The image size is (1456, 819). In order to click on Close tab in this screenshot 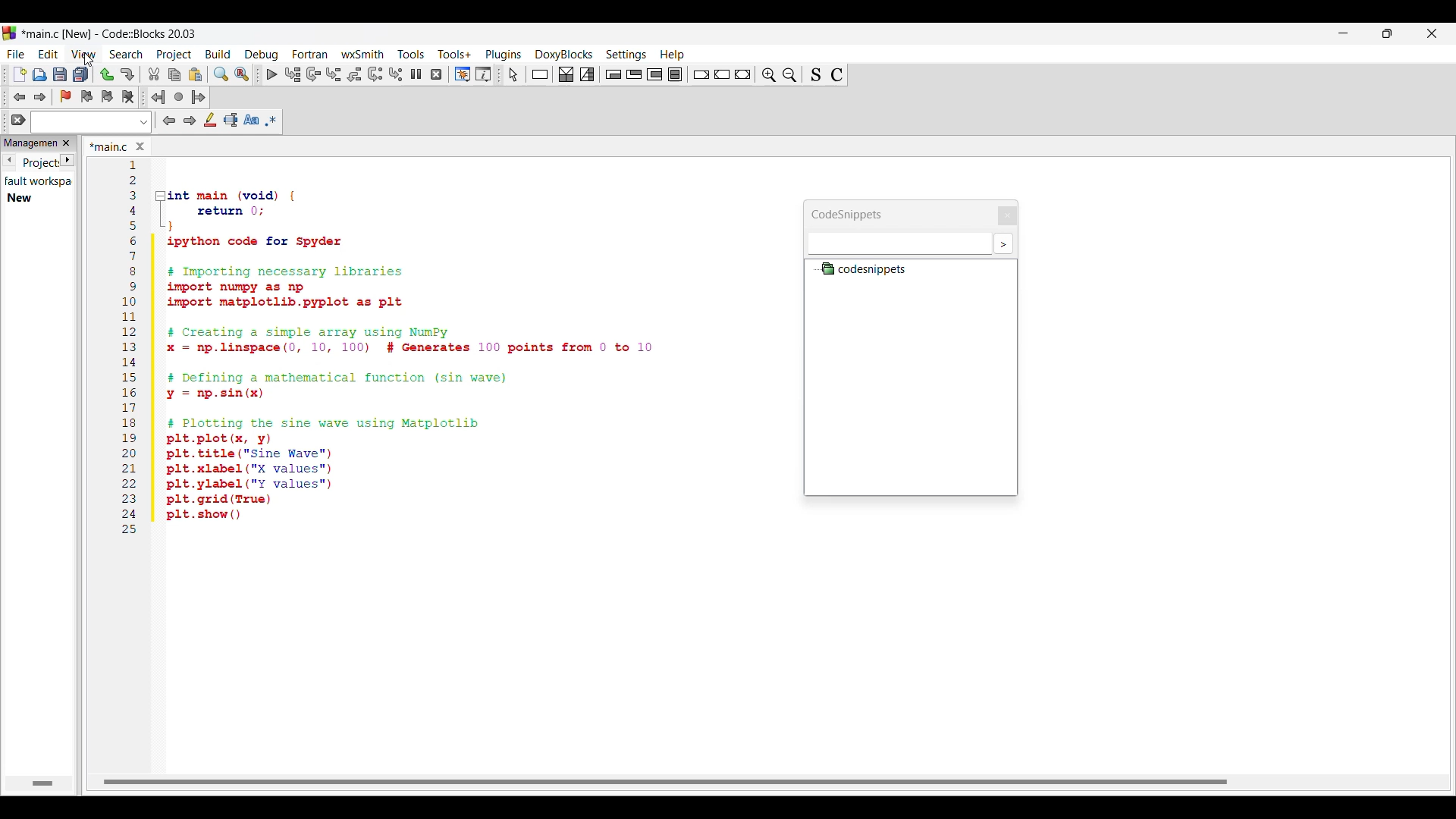, I will do `click(140, 146)`.